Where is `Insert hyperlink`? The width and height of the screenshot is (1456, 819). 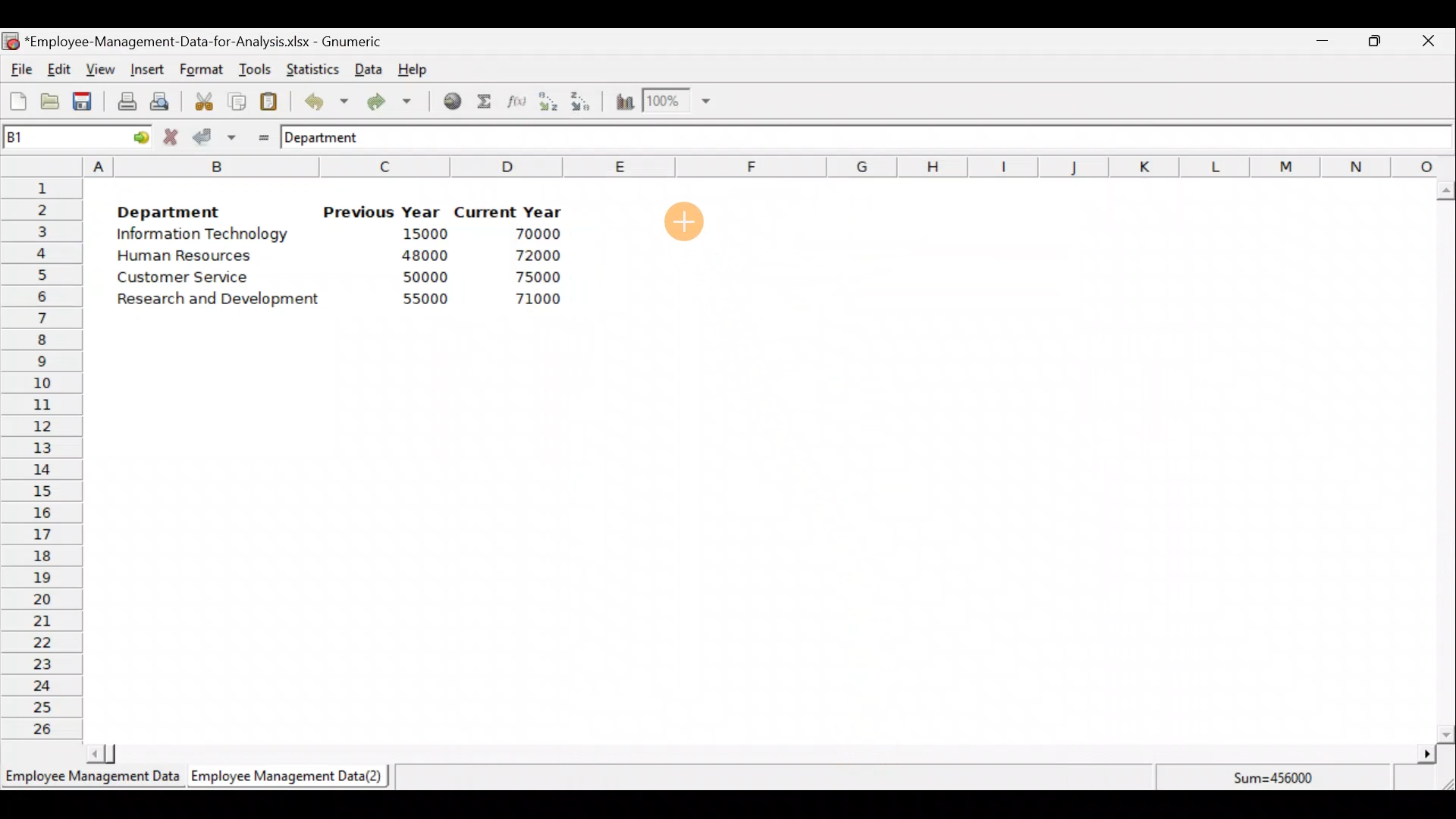
Insert hyperlink is located at coordinates (447, 100).